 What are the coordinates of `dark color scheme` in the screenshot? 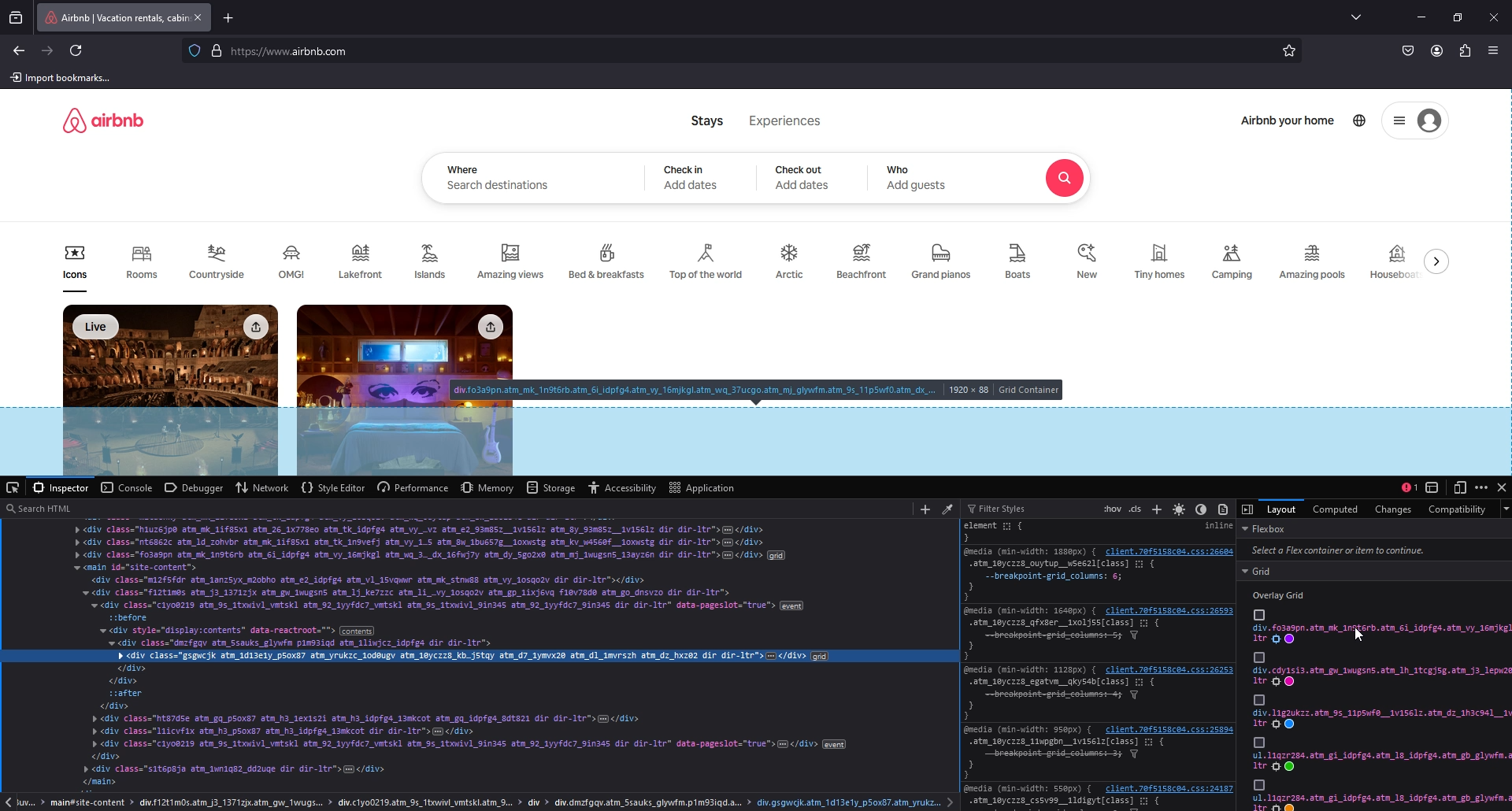 It's located at (1201, 509).